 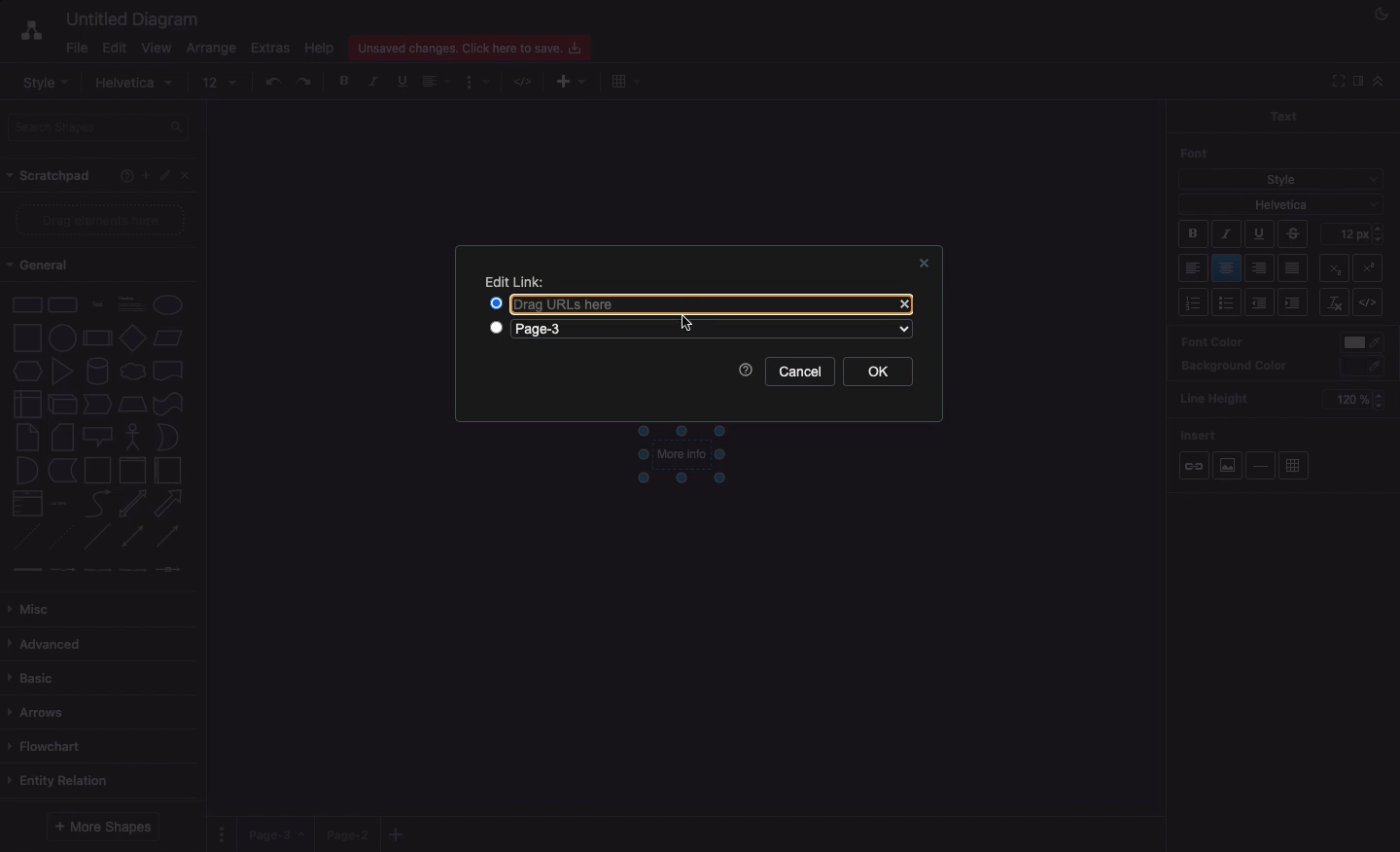 I want to click on cylinder, so click(x=98, y=371).